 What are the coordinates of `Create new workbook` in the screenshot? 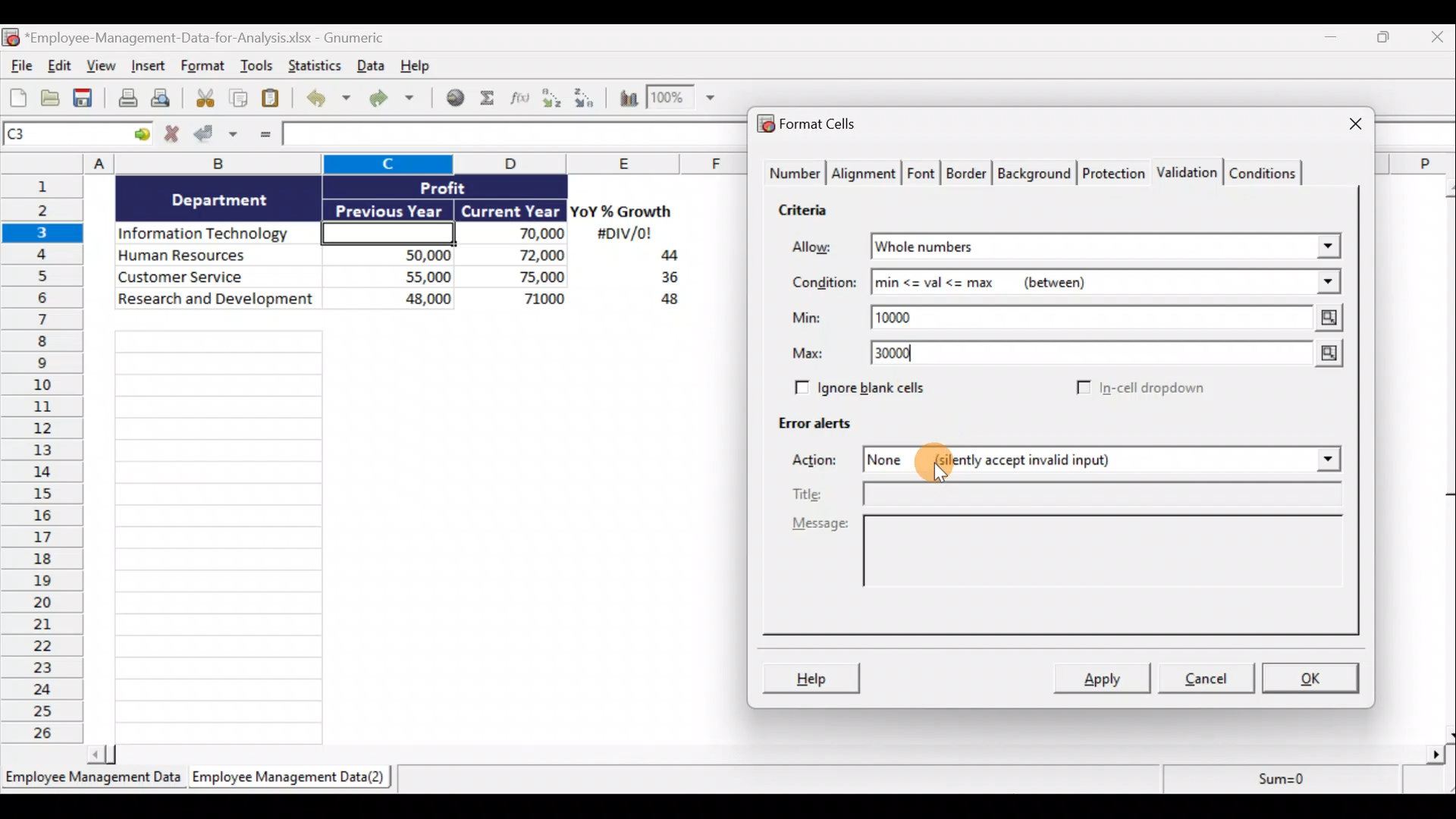 It's located at (18, 97).